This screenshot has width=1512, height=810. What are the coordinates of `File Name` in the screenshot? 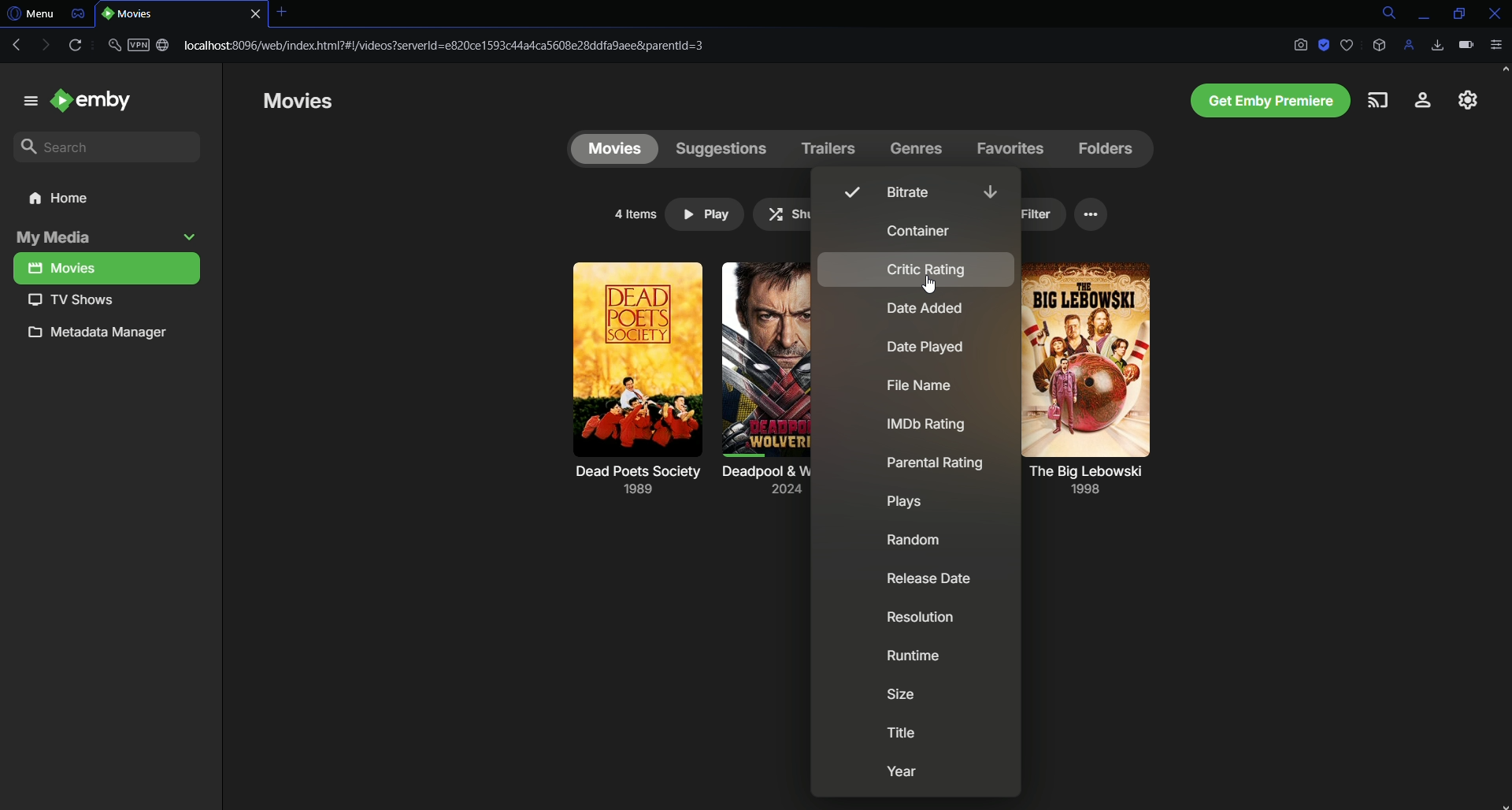 It's located at (926, 387).